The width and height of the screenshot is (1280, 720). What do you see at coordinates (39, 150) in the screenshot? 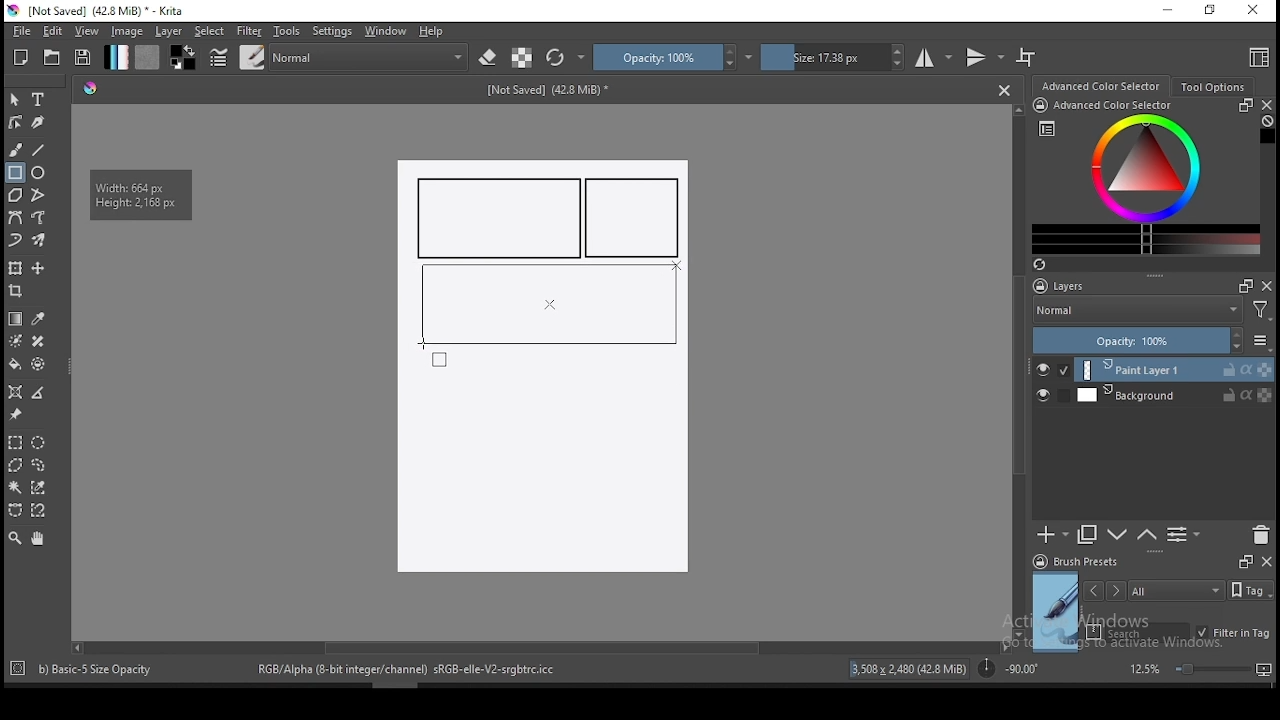
I see `line tool` at bounding box center [39, 150].